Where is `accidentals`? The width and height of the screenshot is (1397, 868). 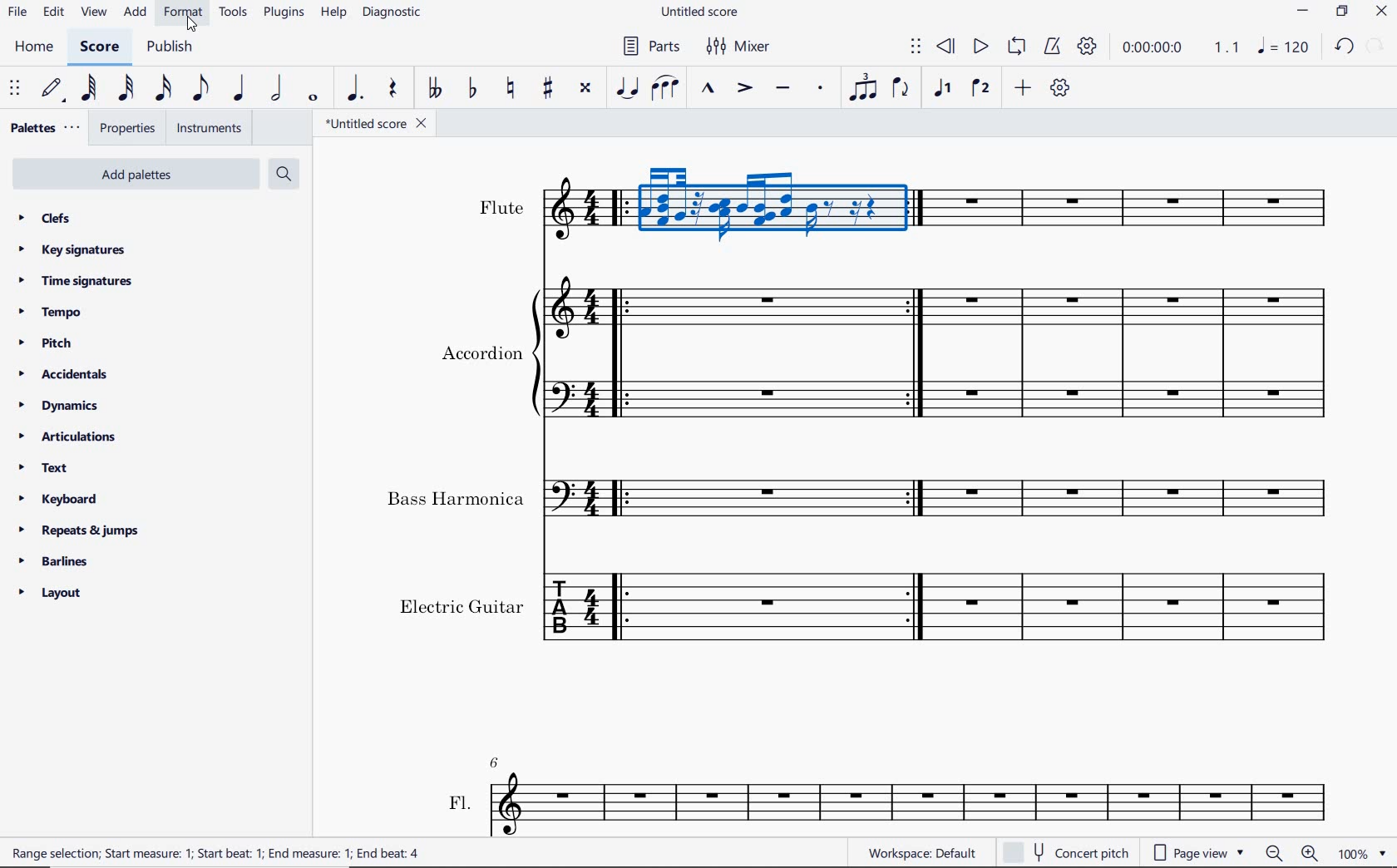 accidentals is located at coordinates (64, 374).